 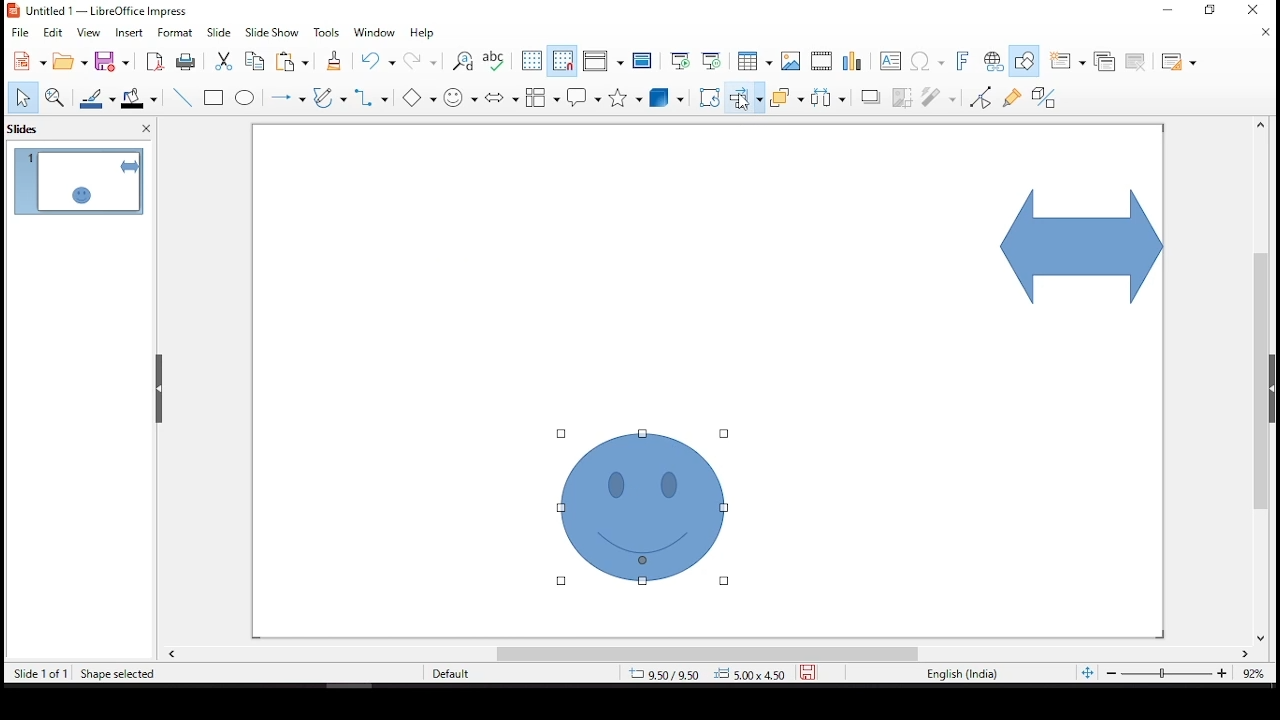 I want to click on clone formatting, so click(x=338, y=62).